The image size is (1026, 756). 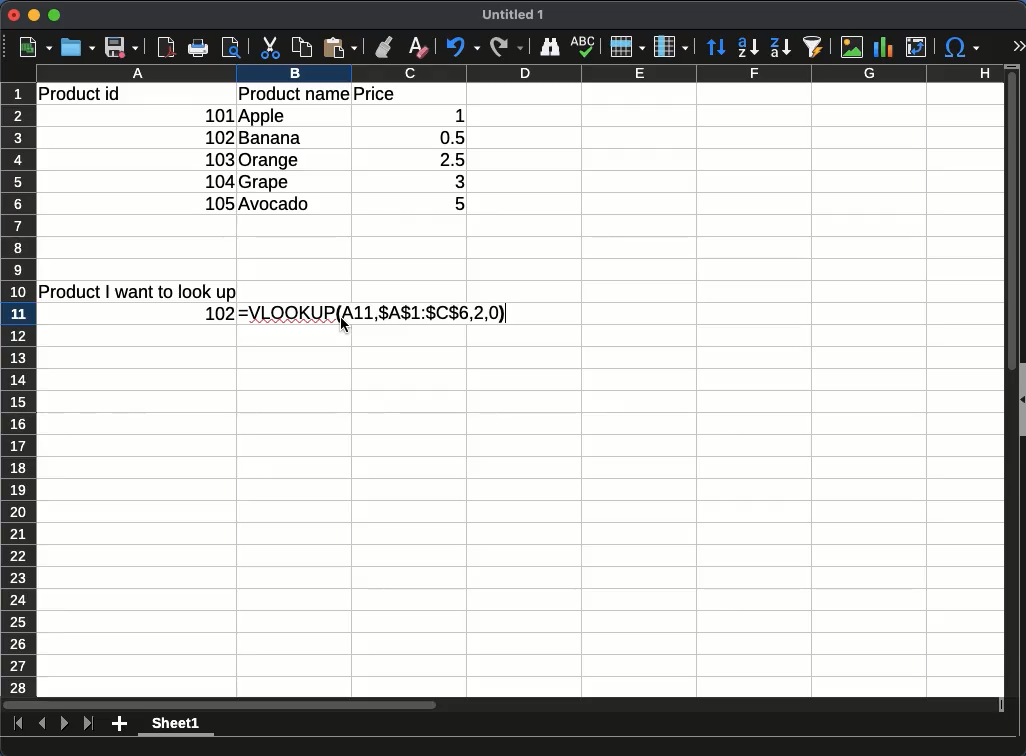 What do you see at coordinates (344, 326) in the screenshot?
I see `cursor` at bounding box center [344, 326].